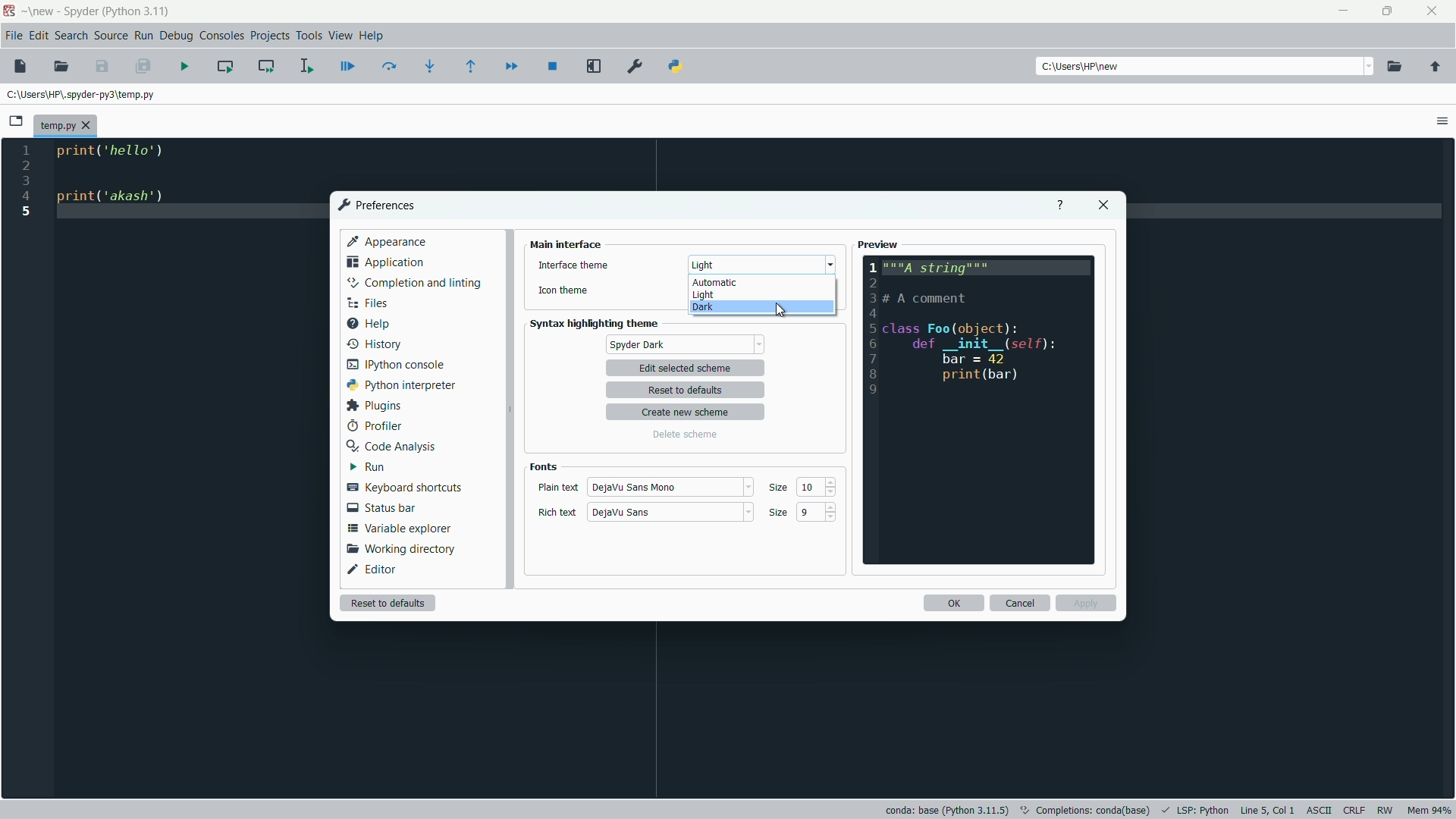 The width and height of the screenshot is (1456, 819). I want to click on run current line, so click(390, 66).